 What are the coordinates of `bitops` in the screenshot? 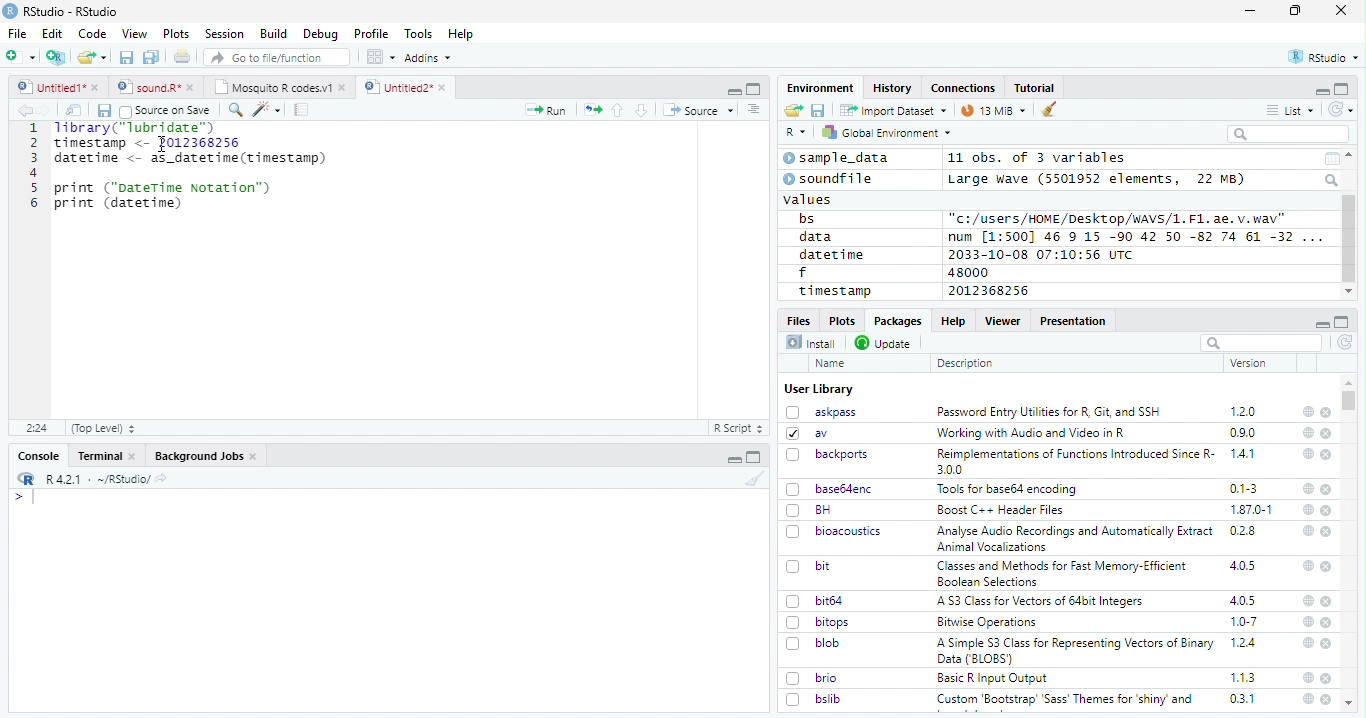 It's located at (819, 622).